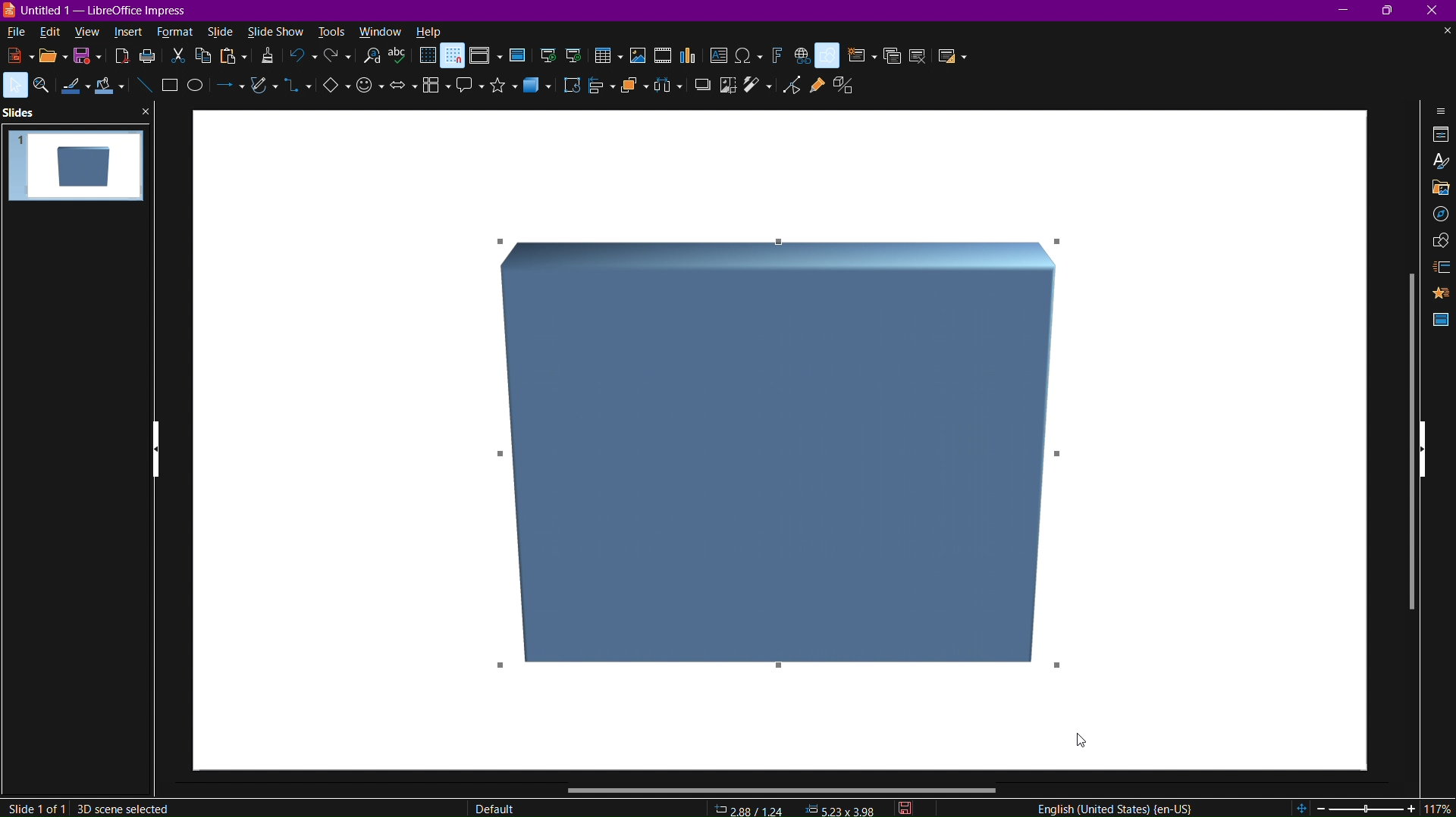  Describe the element at coordinates (229, 92) in the screenshot. I see `Lines and Arrows` at that location.